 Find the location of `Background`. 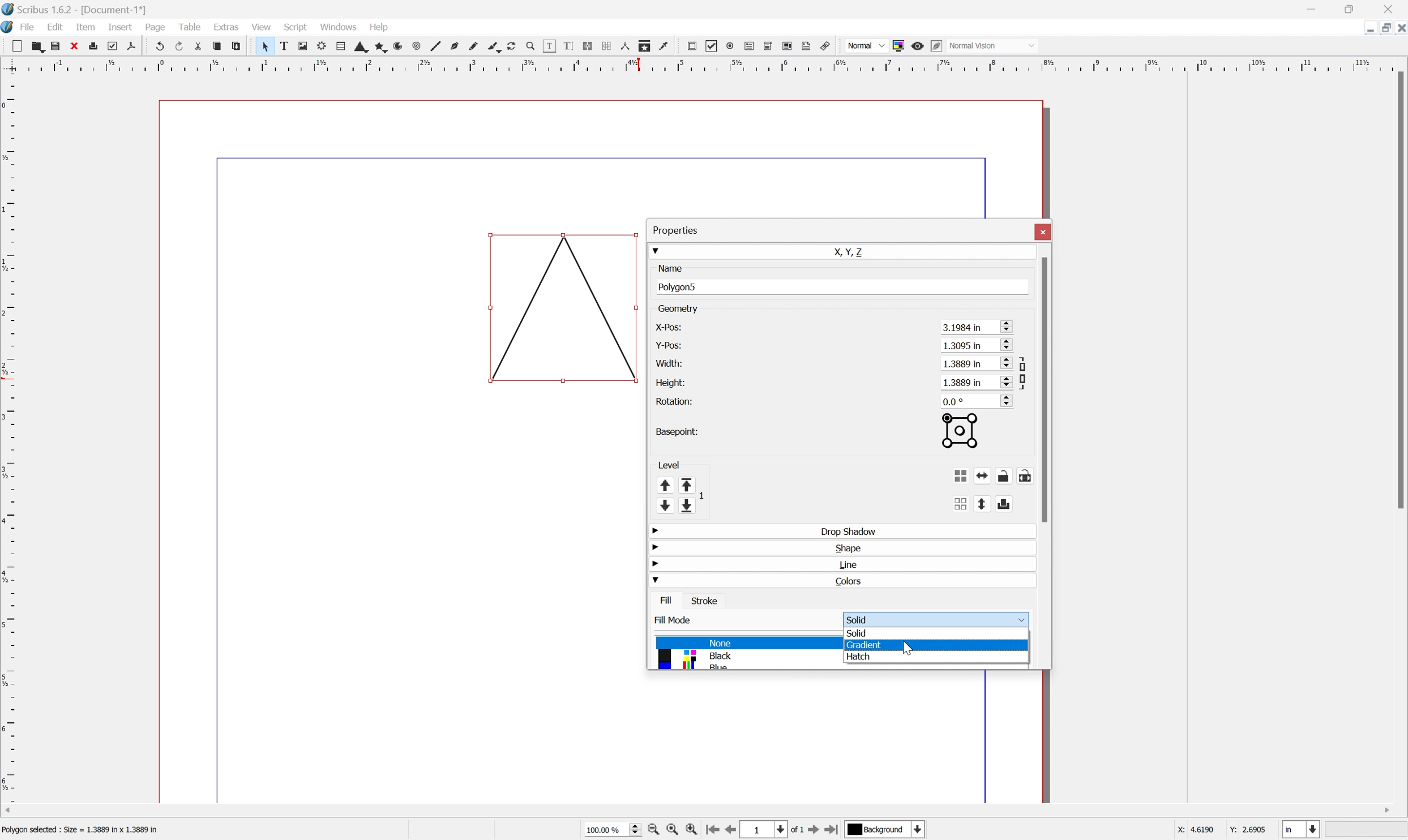

Background is located at coordinates (878, 829).